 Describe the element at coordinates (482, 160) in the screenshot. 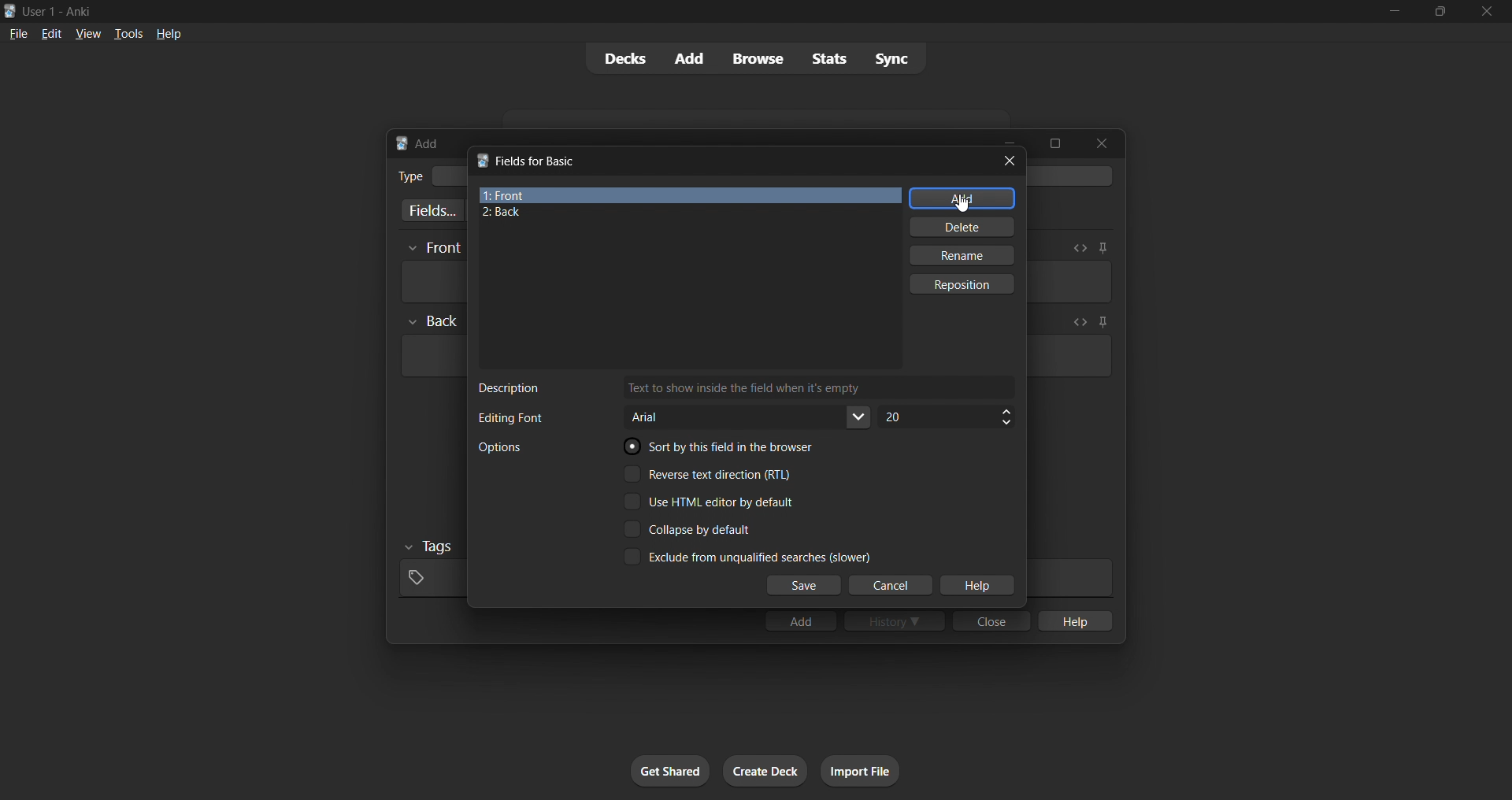

I see `Anki logo` at that location.